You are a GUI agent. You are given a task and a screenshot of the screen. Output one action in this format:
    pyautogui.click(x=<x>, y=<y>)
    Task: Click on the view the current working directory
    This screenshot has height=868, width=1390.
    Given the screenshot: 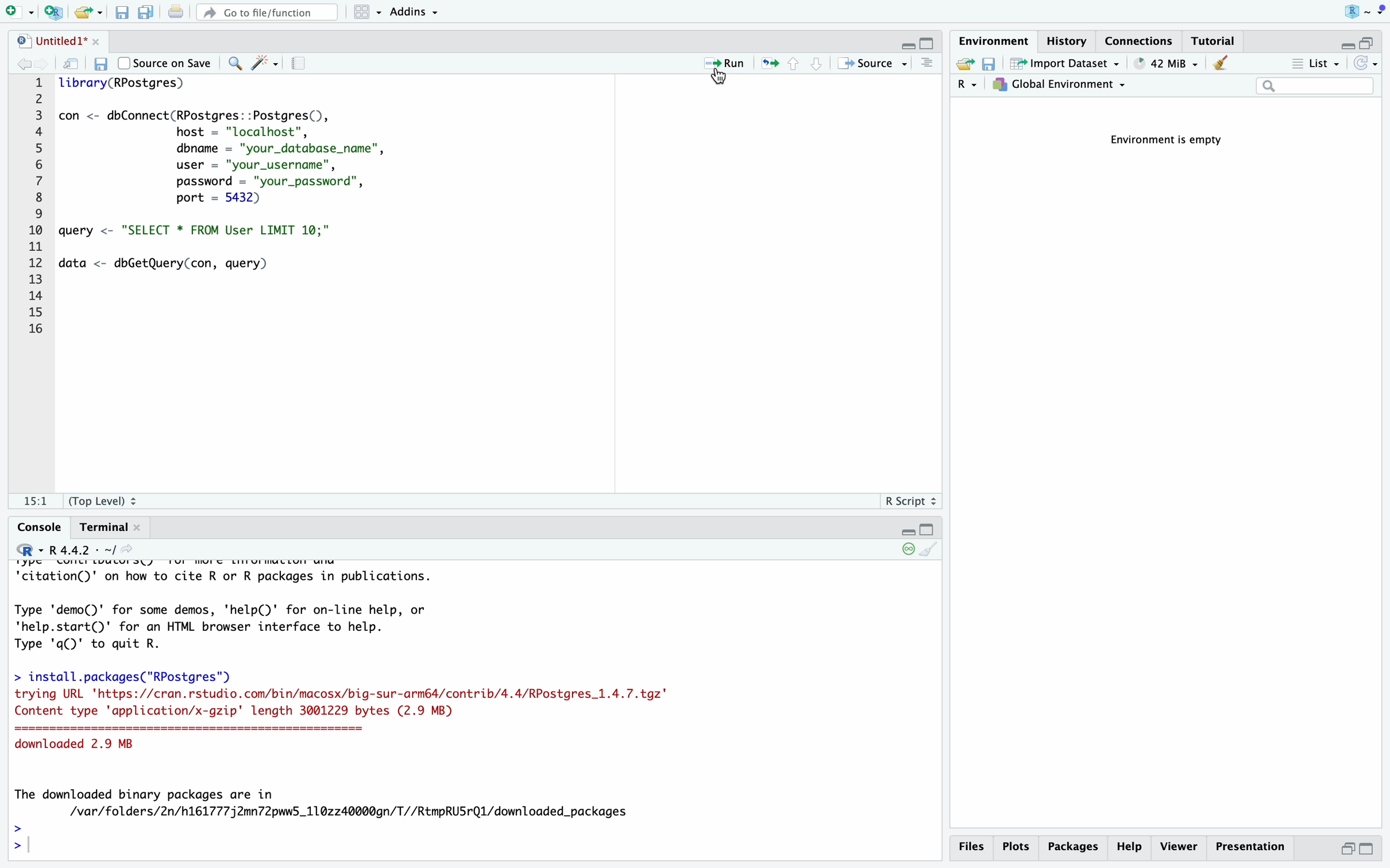 What is the action you would take?
    pyautogui.click(x=141, y=551)
    